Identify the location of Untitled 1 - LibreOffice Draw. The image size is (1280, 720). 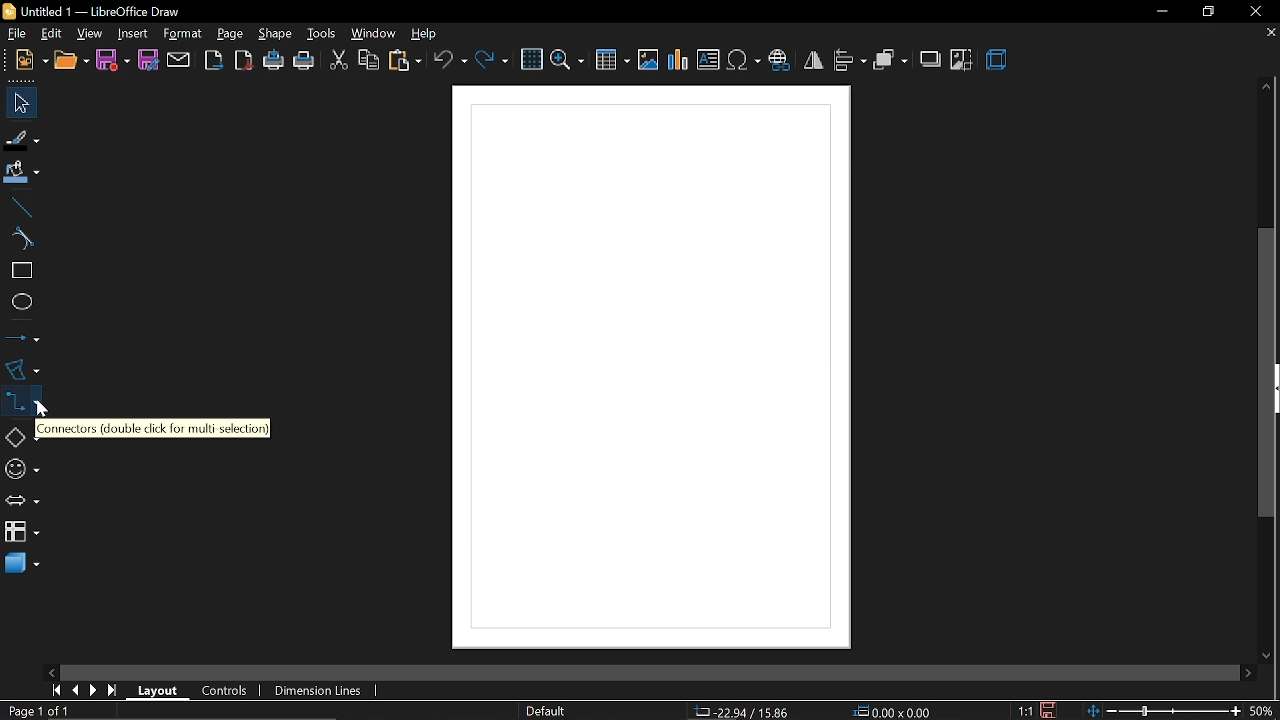
(93, 11).